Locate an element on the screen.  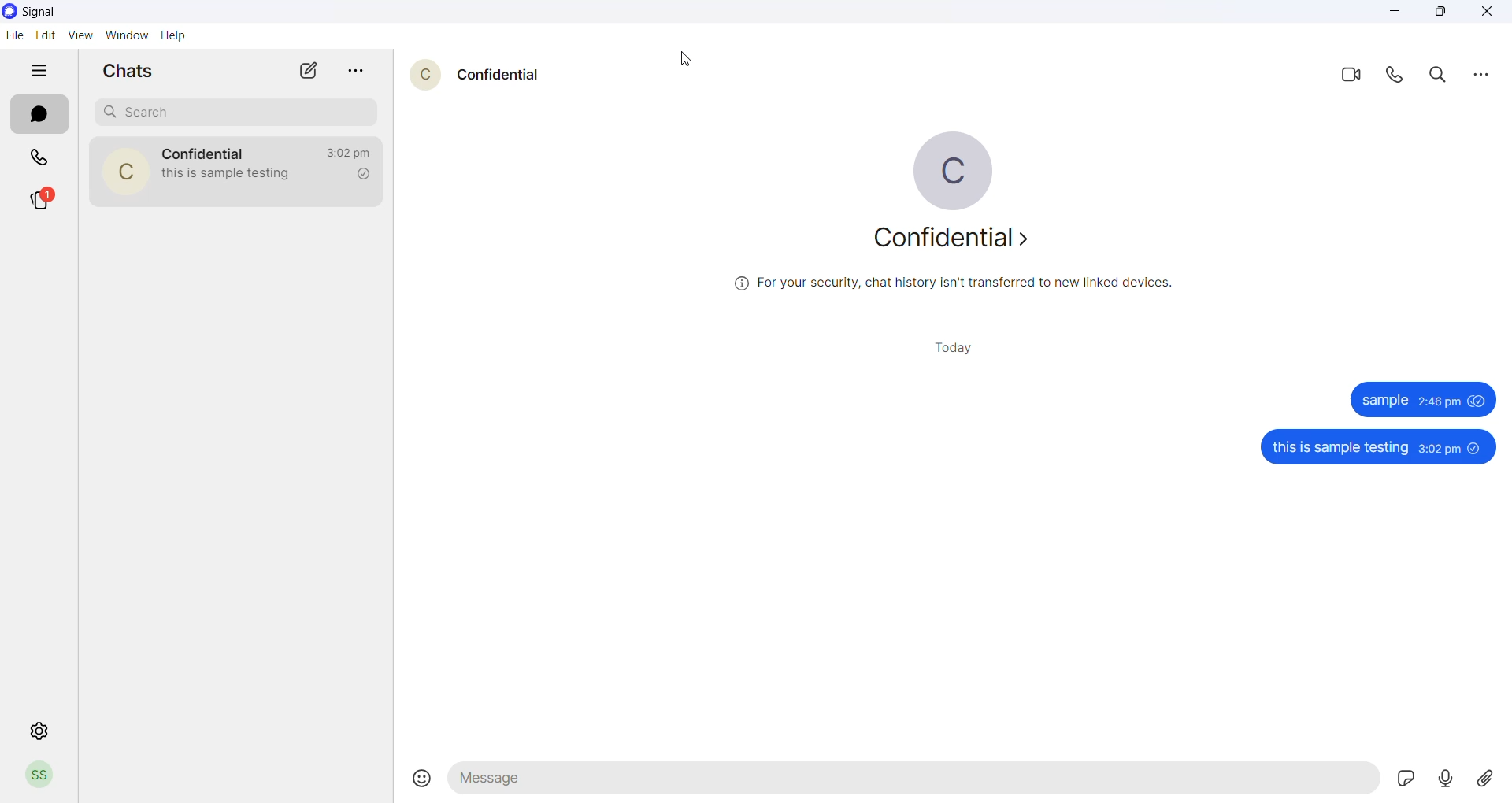
application name and logo is located at coordinates (45, 11).